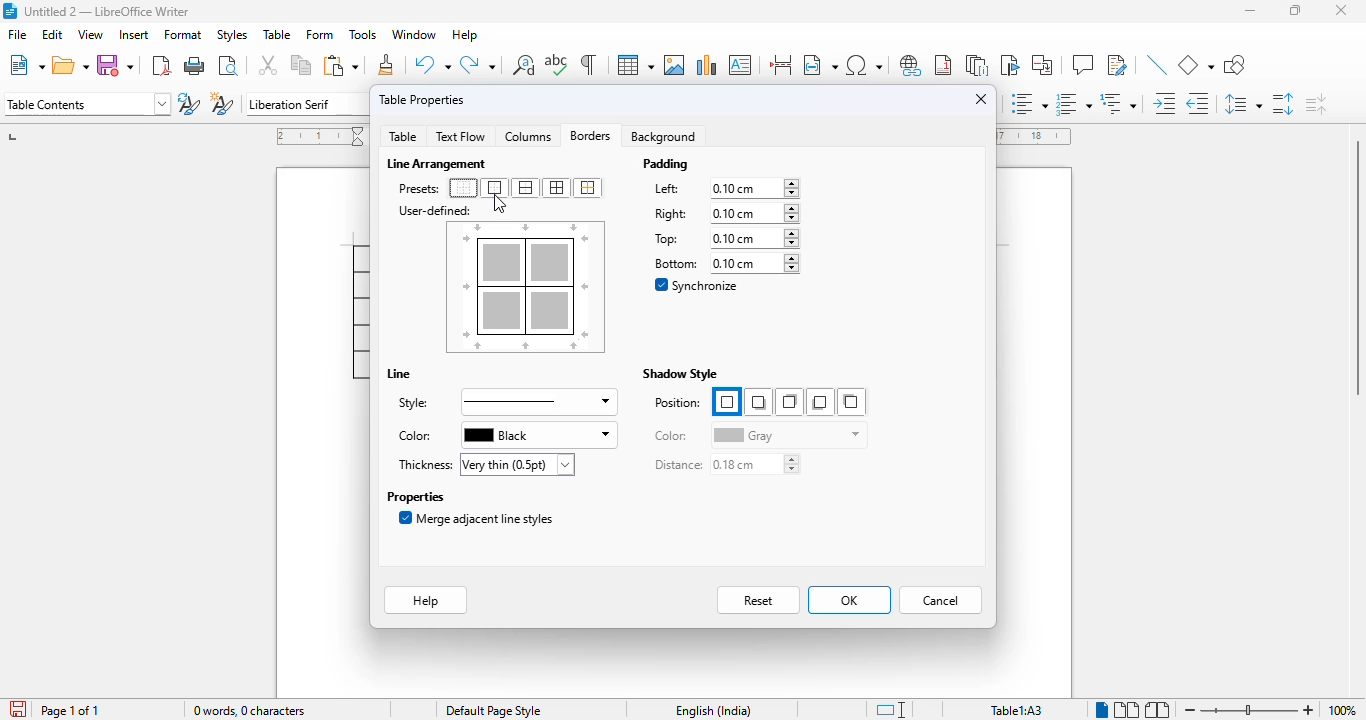  What do you see at coordinates (1166, 103) in the screenshot?
I see `increase indent` at bounding box center [1166, 103].